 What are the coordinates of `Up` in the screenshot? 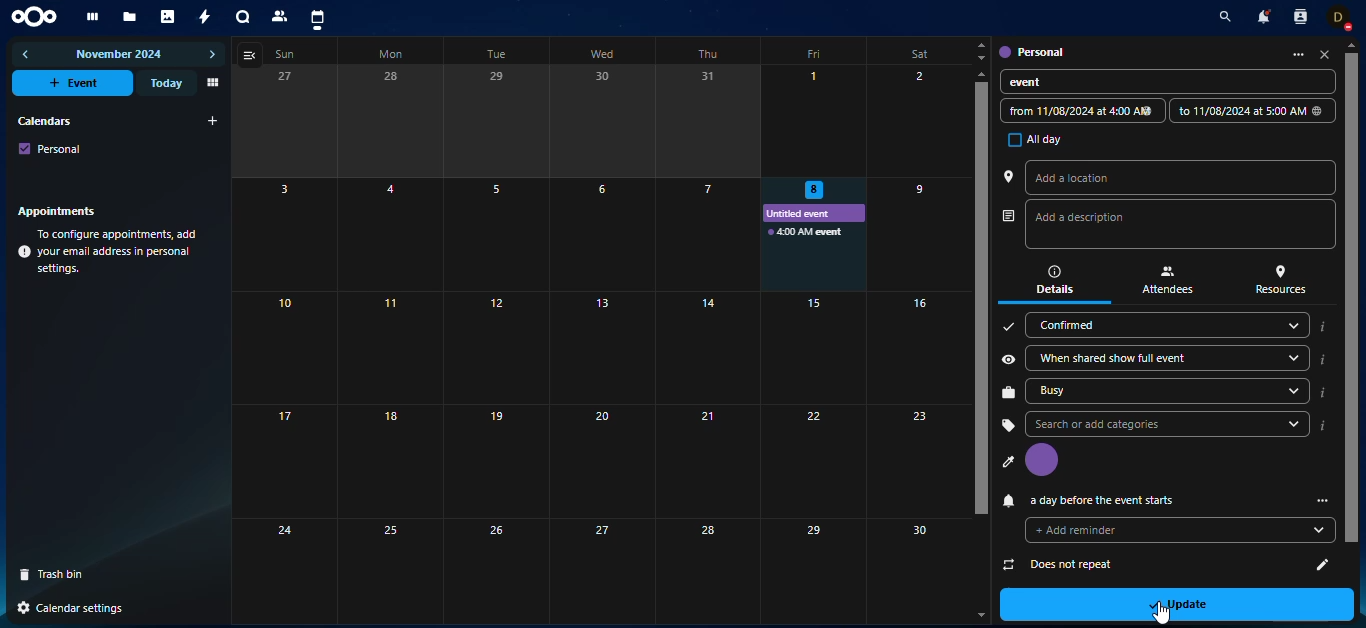 It's located at (982, 45).